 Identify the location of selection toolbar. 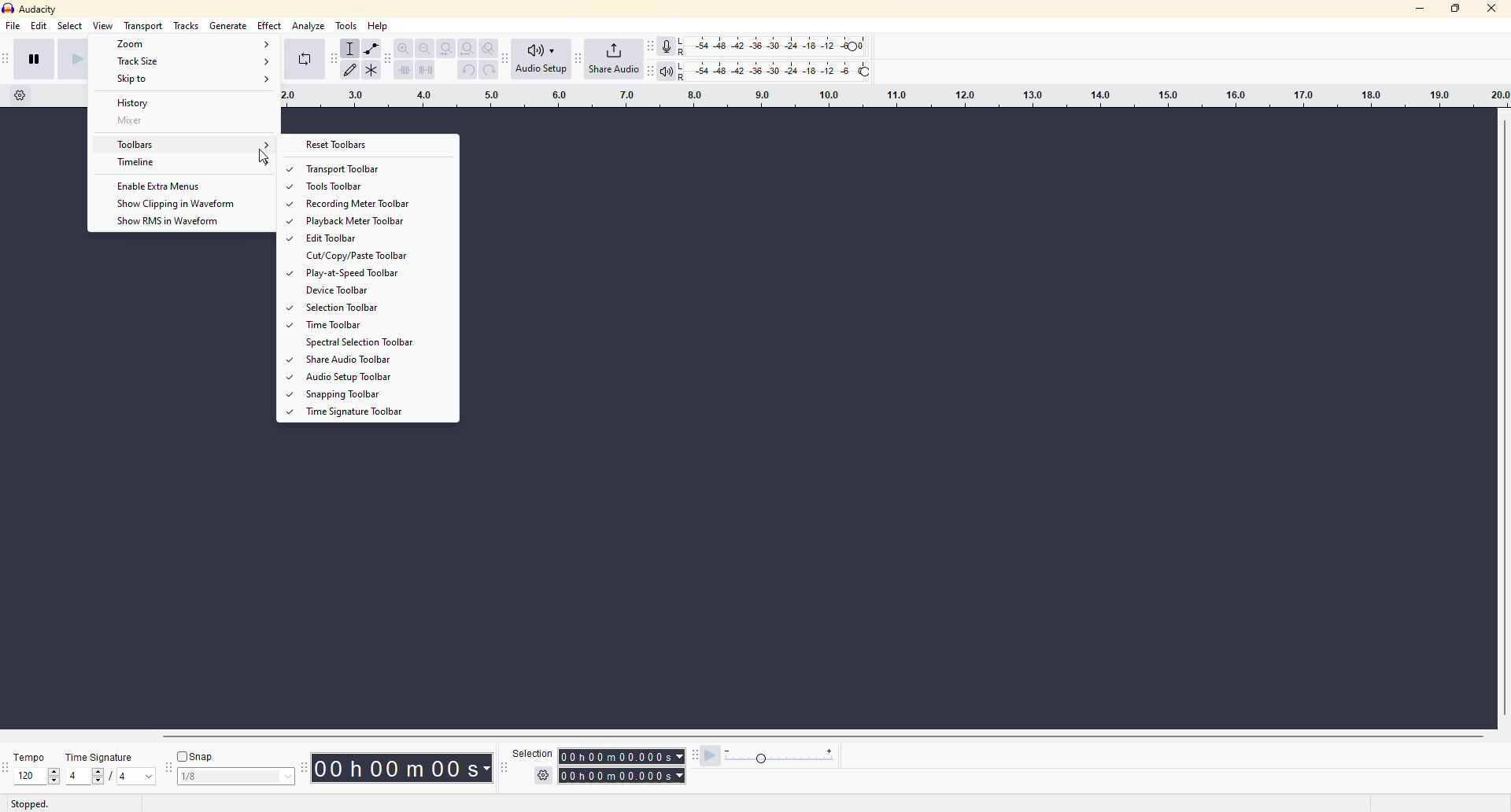
(334, 308).